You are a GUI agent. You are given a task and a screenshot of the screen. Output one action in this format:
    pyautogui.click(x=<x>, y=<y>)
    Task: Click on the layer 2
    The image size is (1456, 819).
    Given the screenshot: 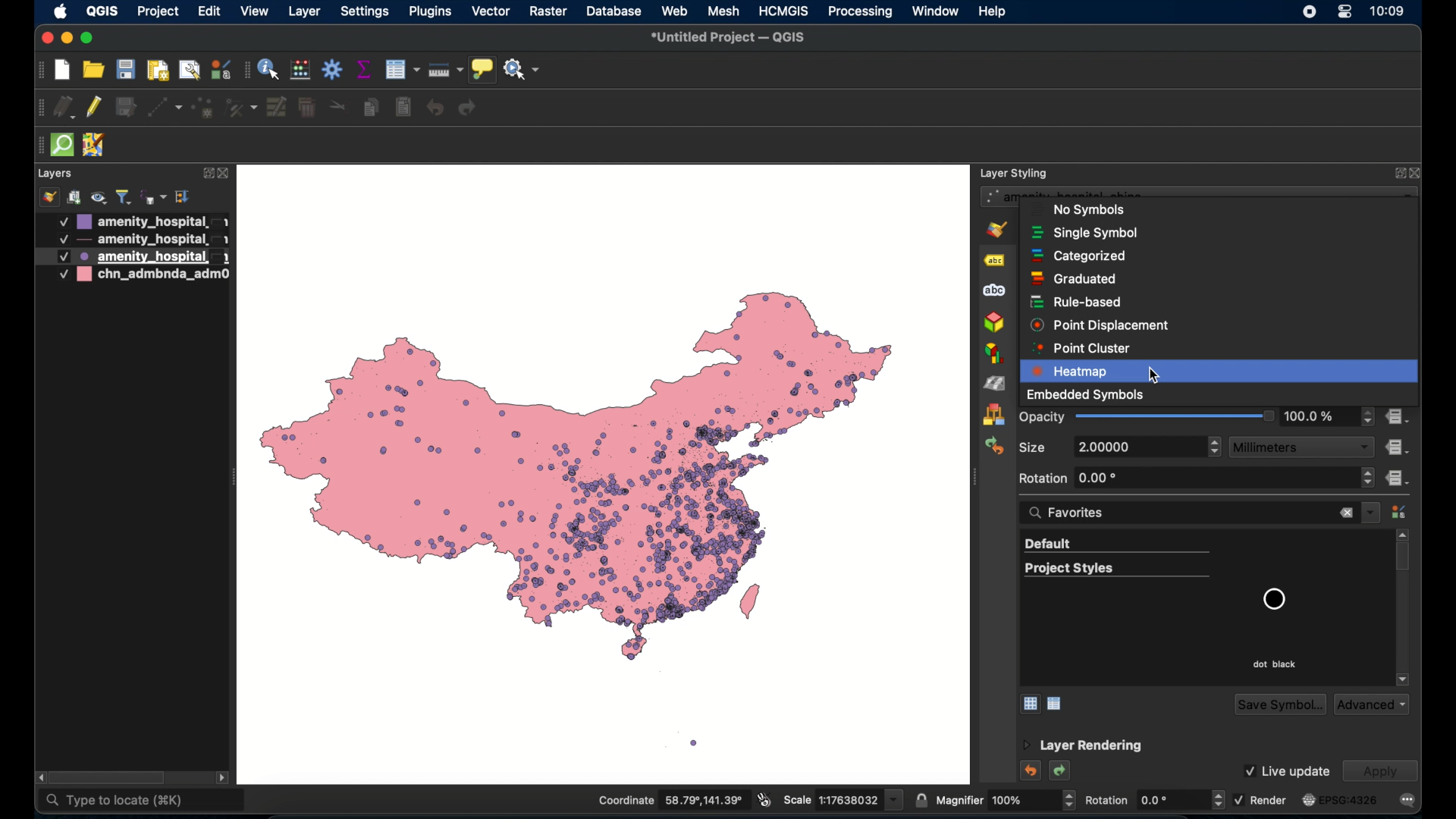 What is the action you would take?
    pyautogui.click(x=141, y=240)
    